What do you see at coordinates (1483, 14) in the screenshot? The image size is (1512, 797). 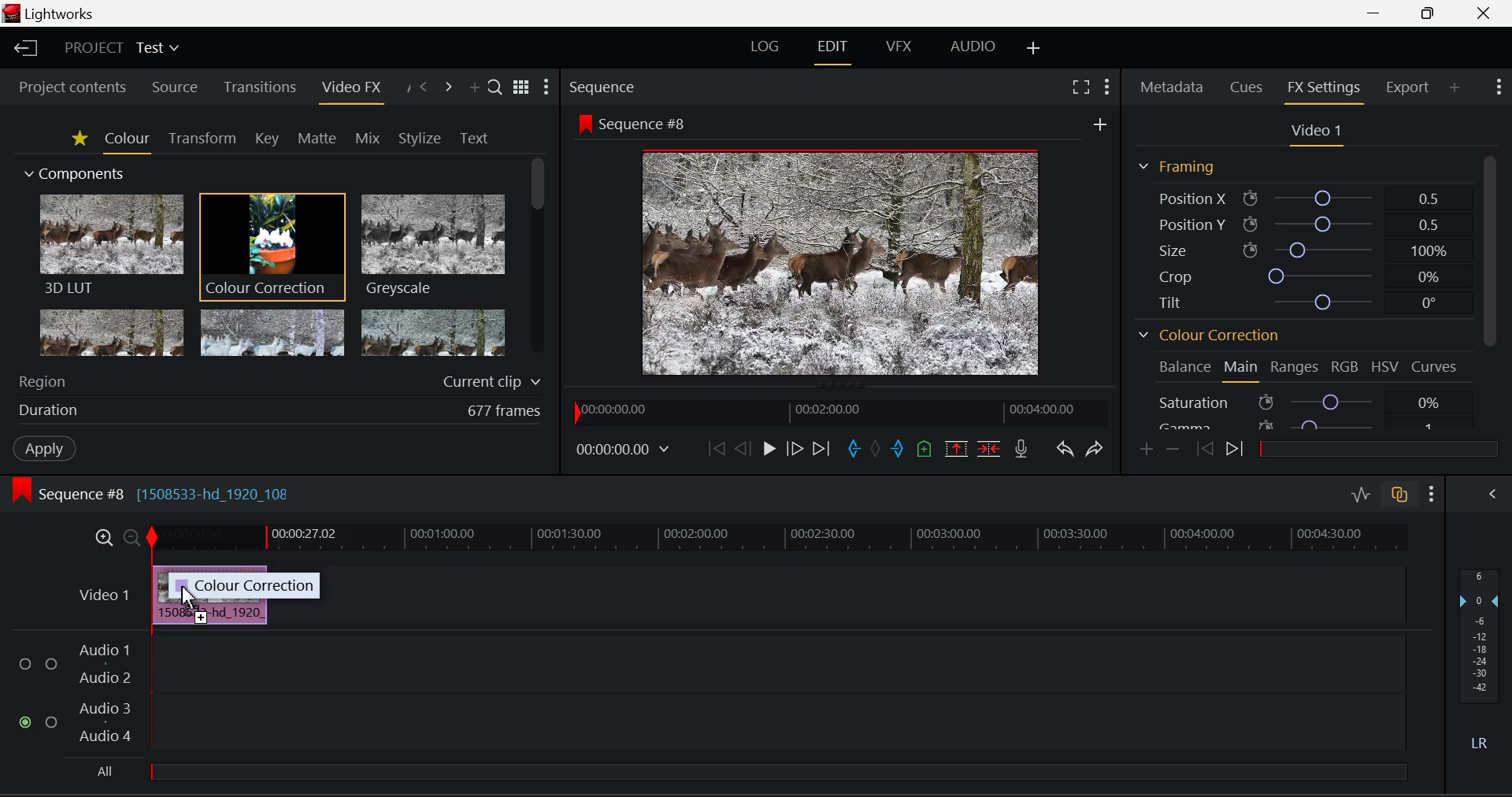 I see `Close` at bounding box center [1483, 14].